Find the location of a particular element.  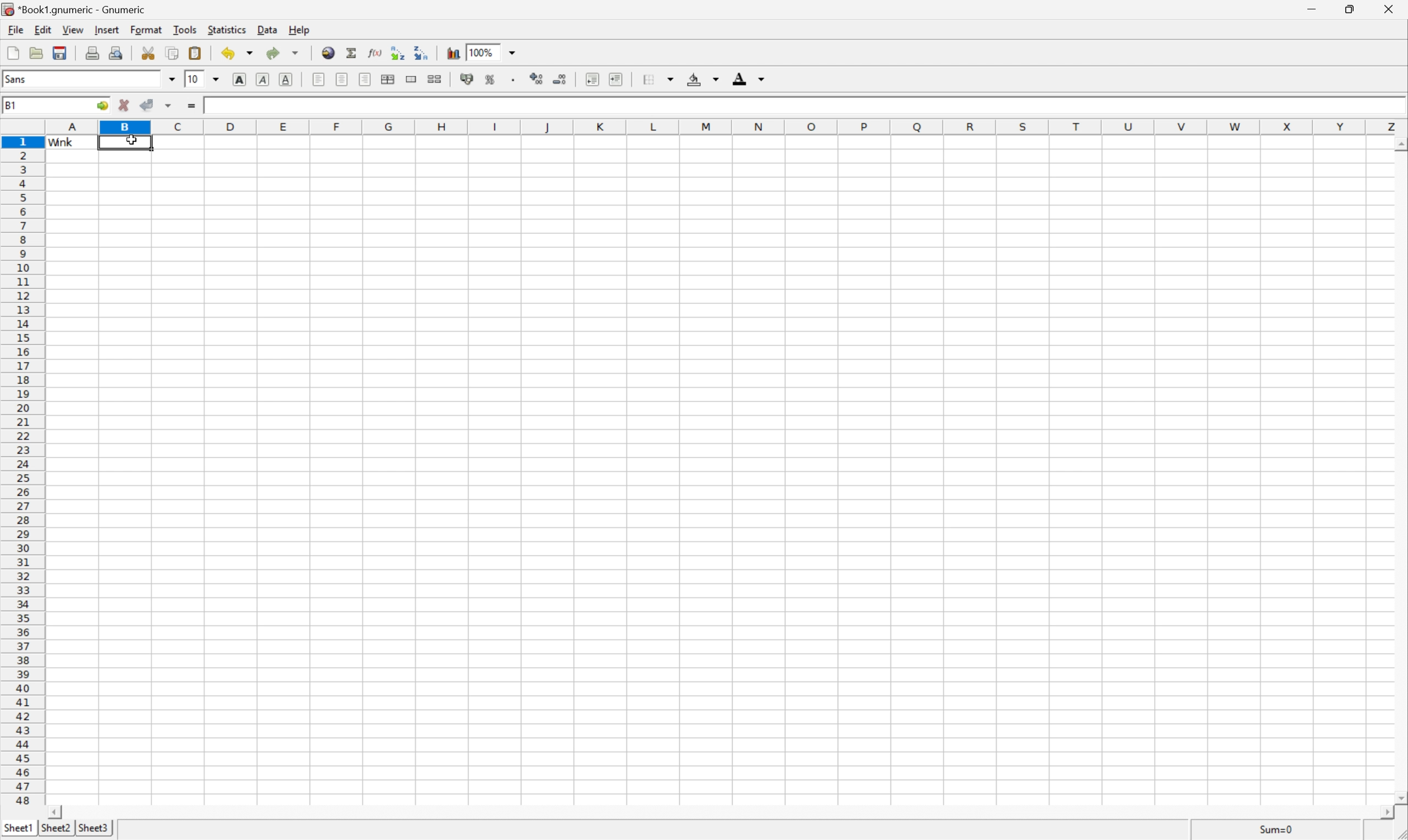

enter formula is located at coordinates (191, 106).